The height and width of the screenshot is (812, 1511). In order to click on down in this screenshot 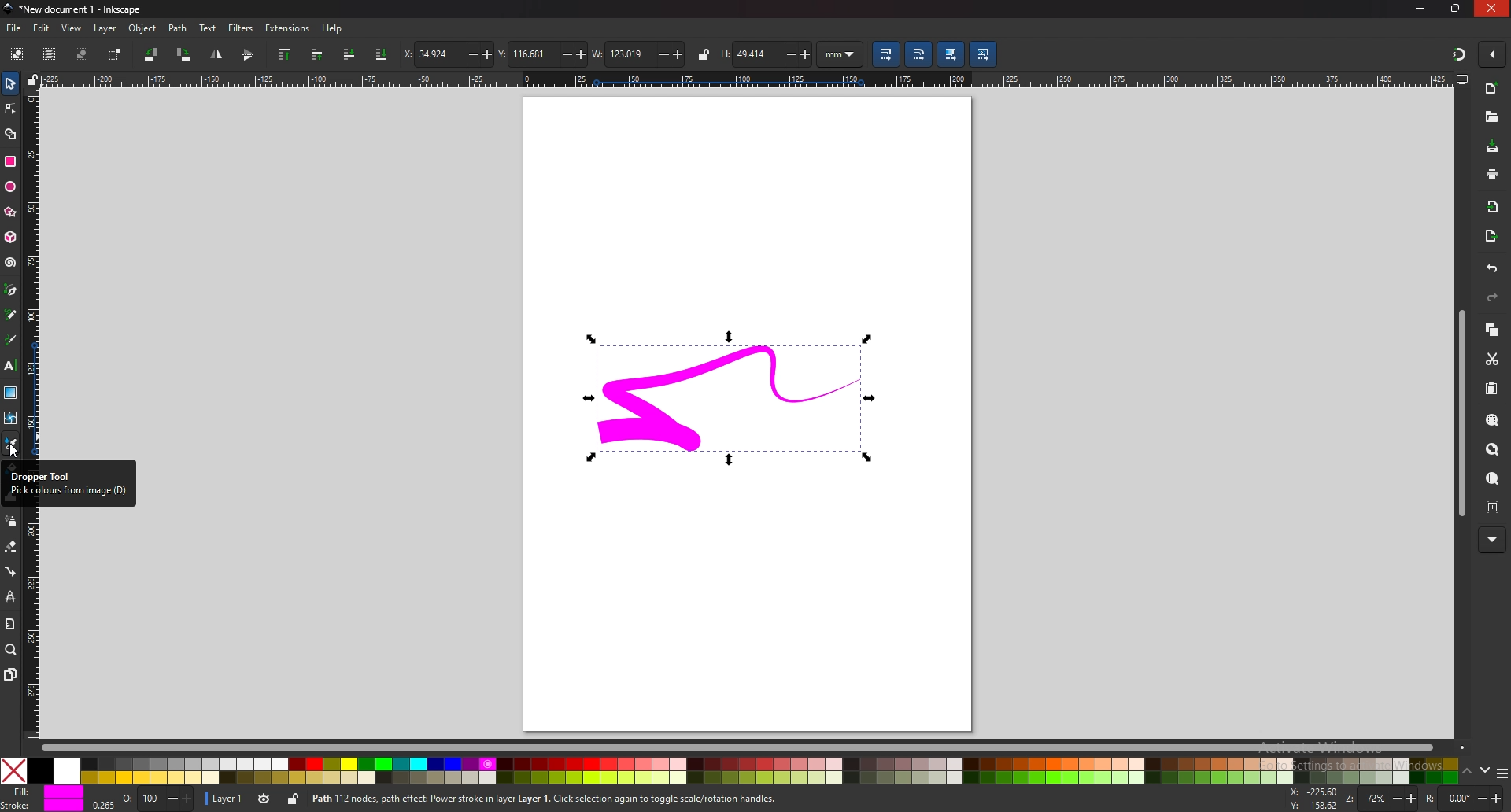, I will do `click(1485, 770)`.